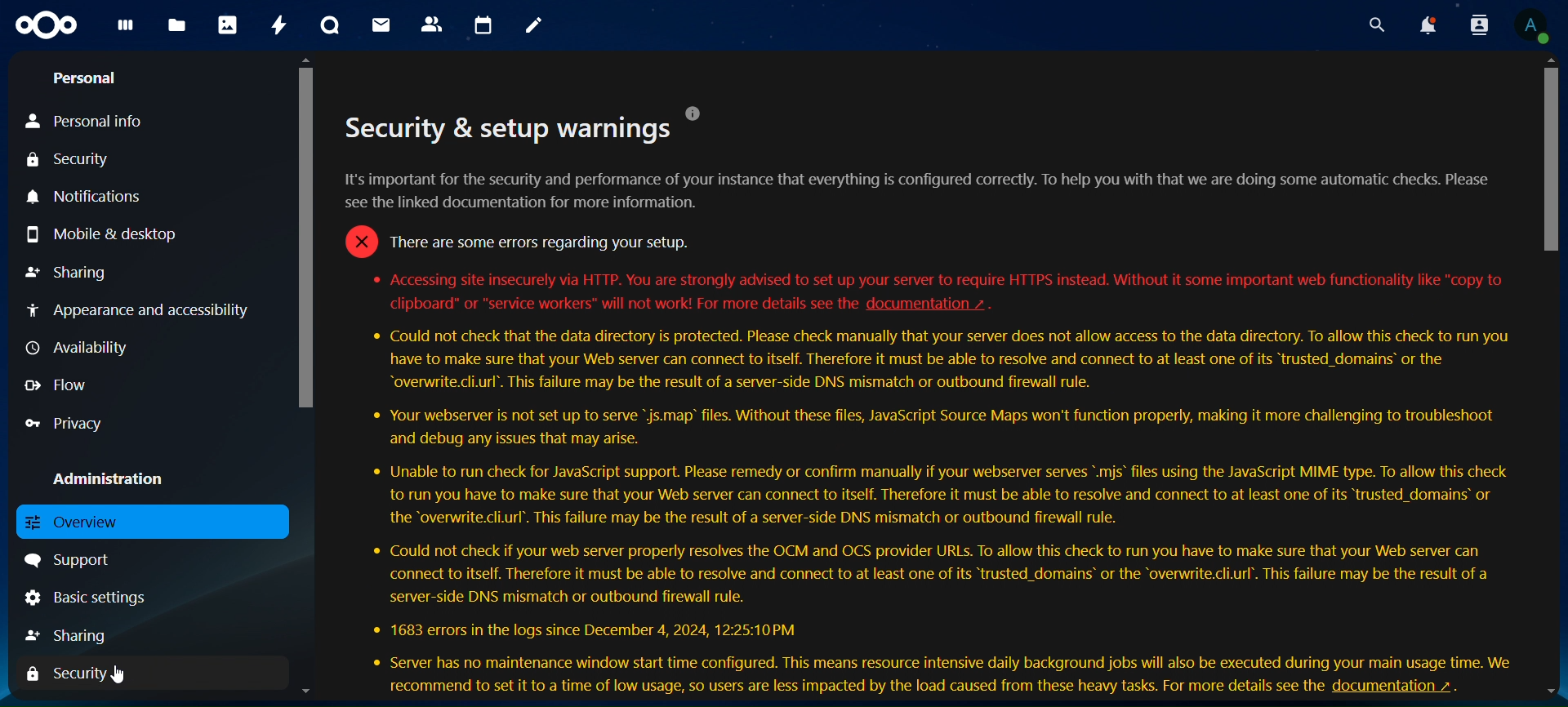 Image resolution: width=1568 pixels, height=707 pixels. I want to click on personal, so click(87, 78).